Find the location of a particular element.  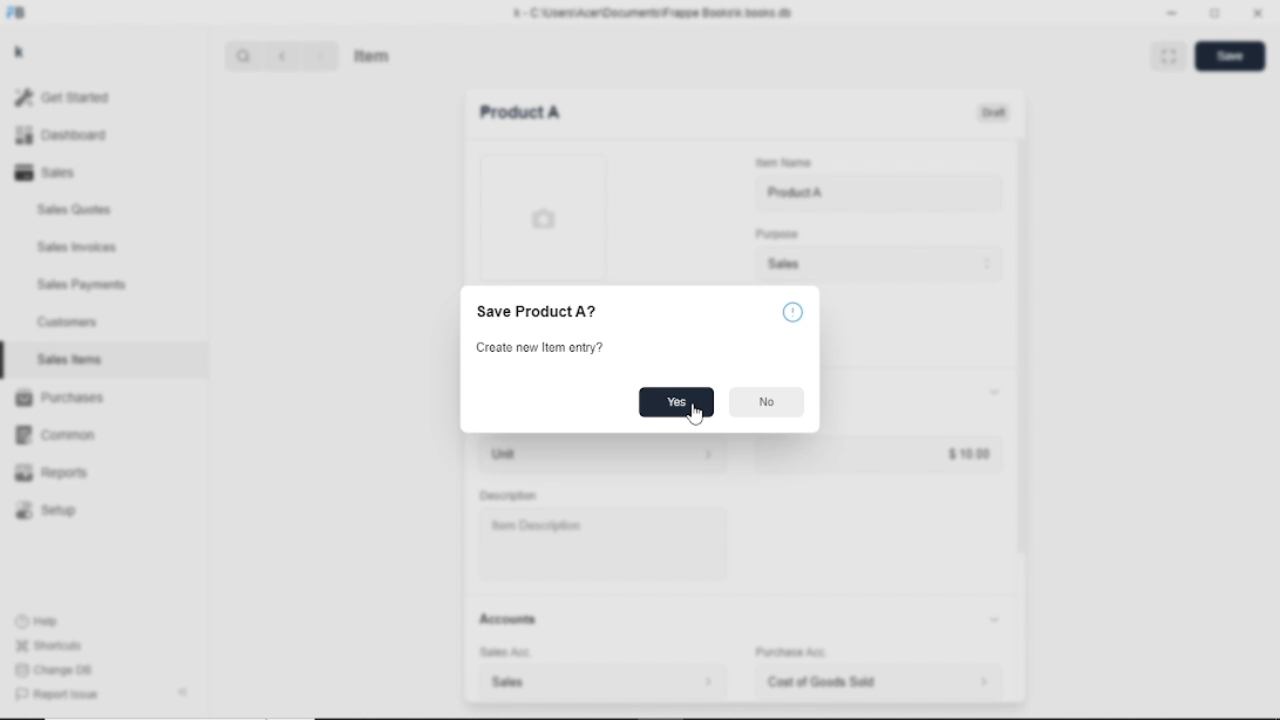

Previous is located at coordinates (282, 56).